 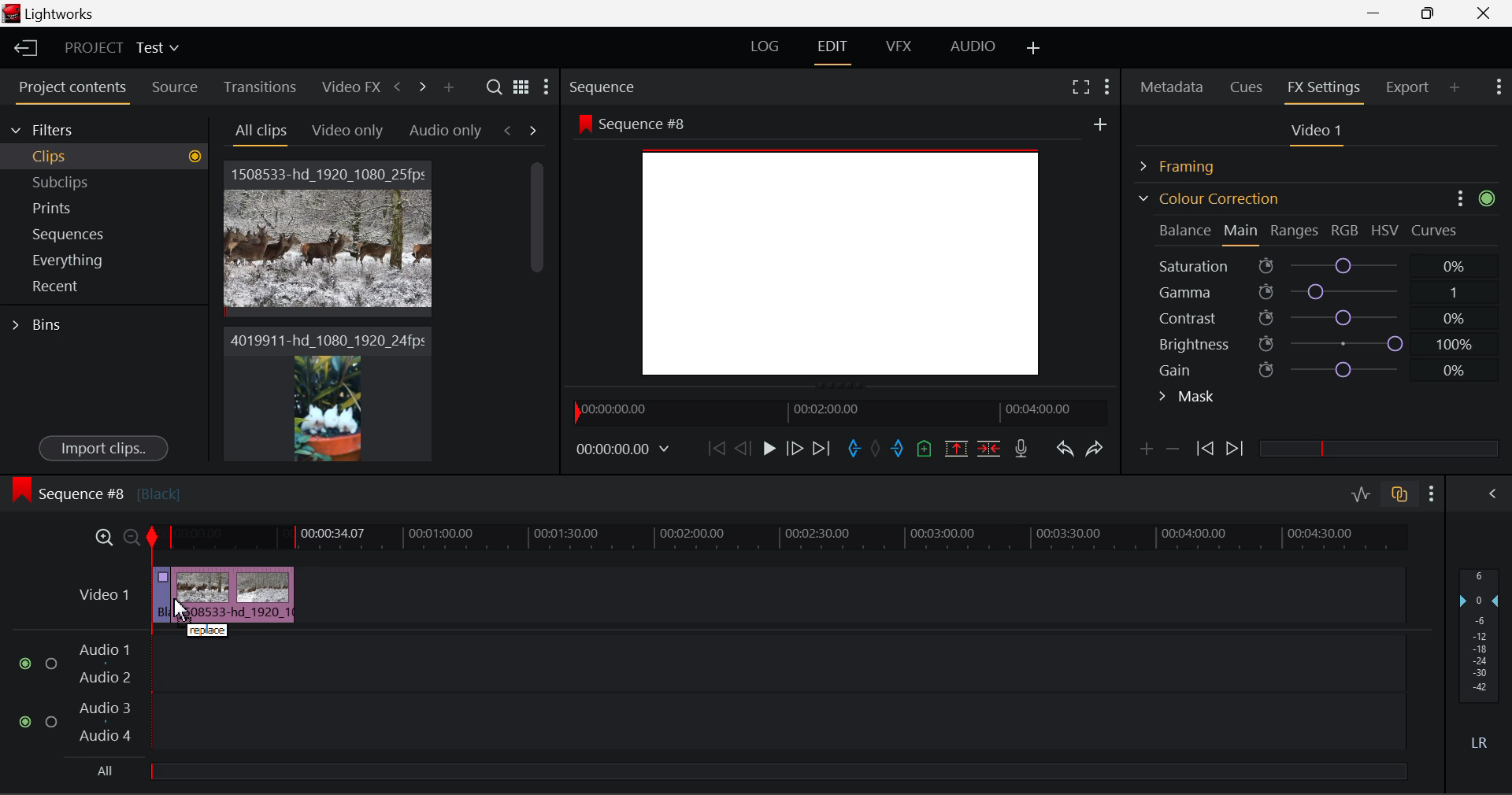 What do you see at coordinates (1208, 198) in the screenshot?
I see `Colour Correction` at bounding box center [1208, 198].